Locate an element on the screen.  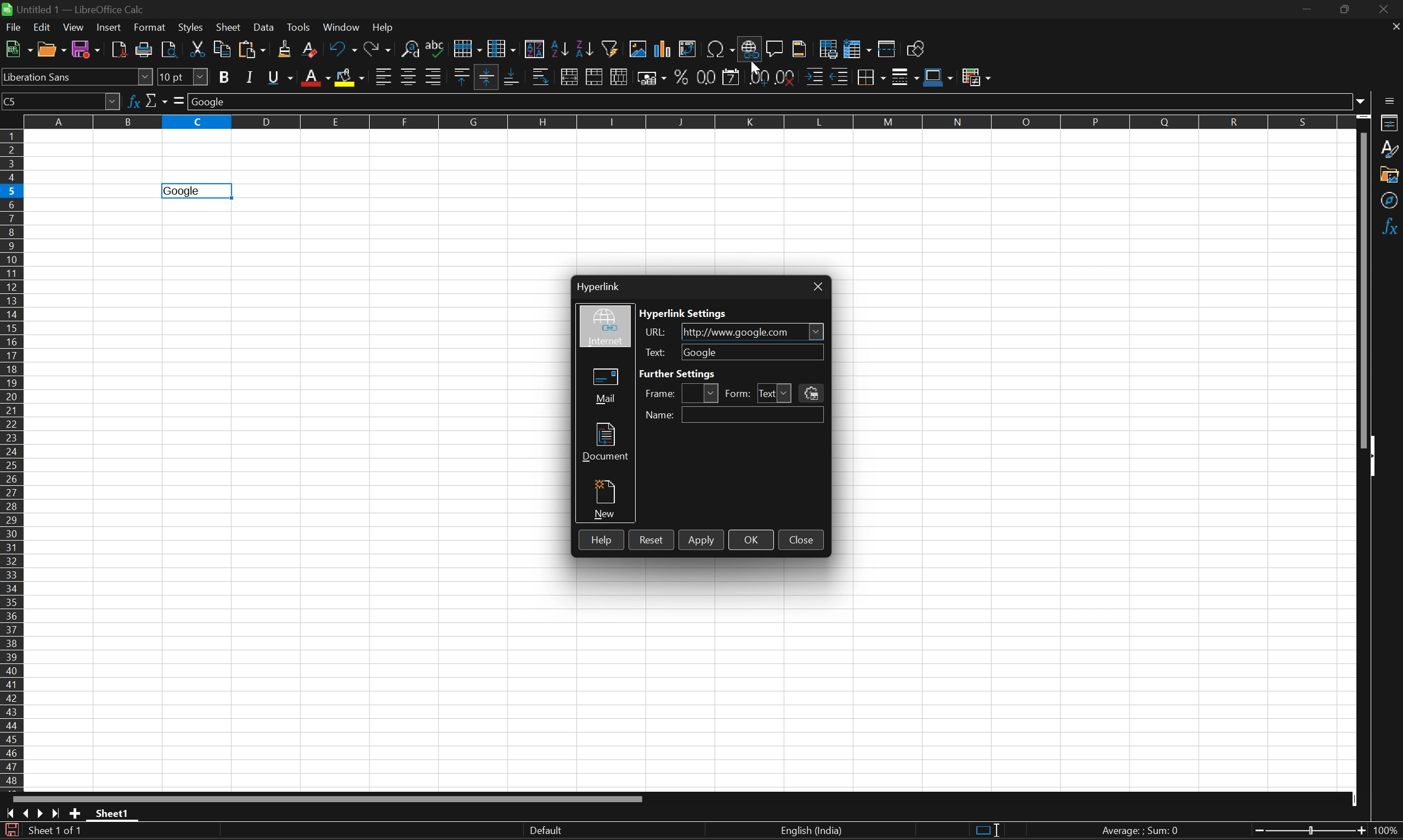
English (India) is located at coordinates (810, 831).